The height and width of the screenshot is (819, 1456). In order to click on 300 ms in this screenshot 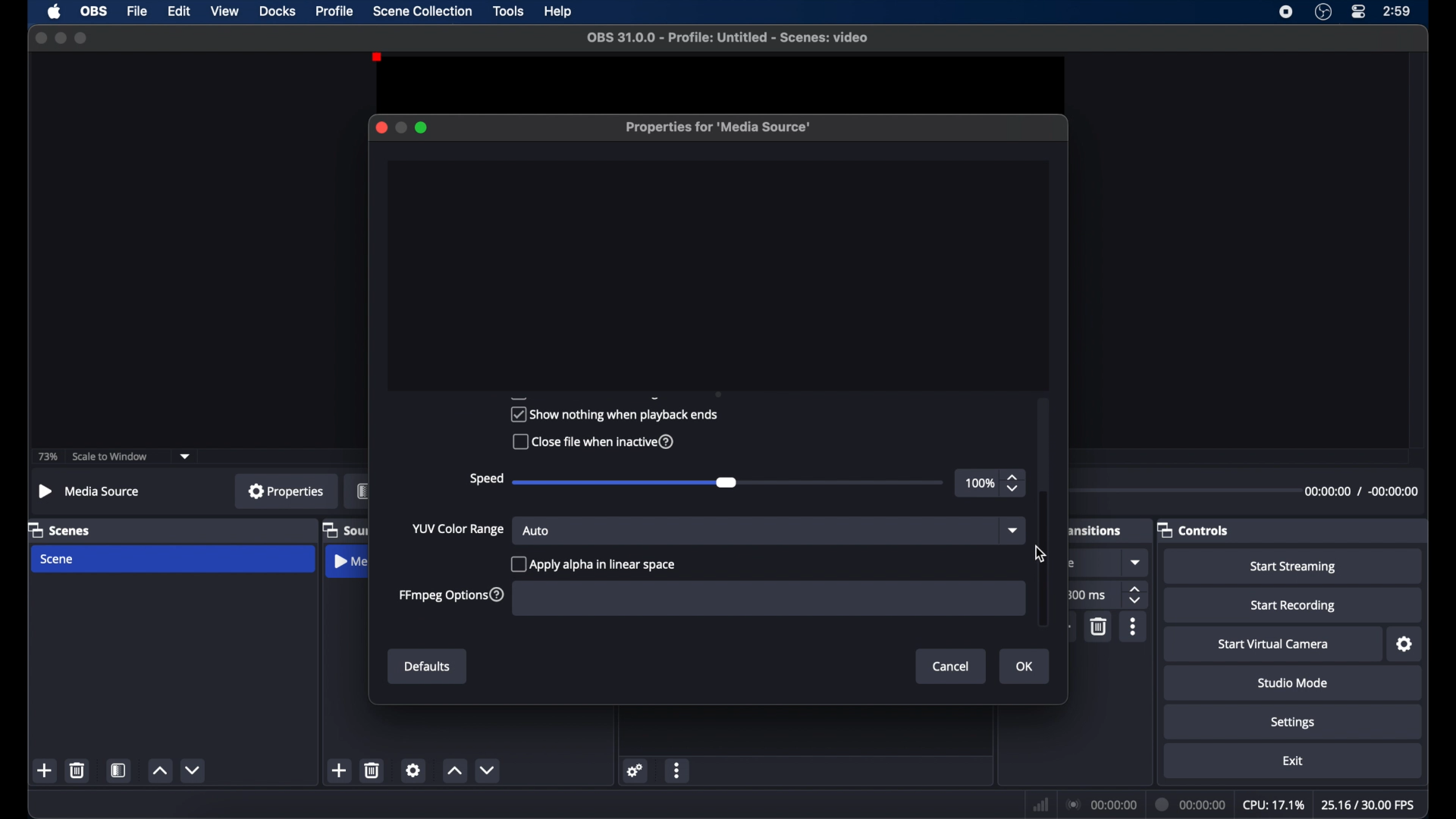, I will do `click(1087, 594)`.